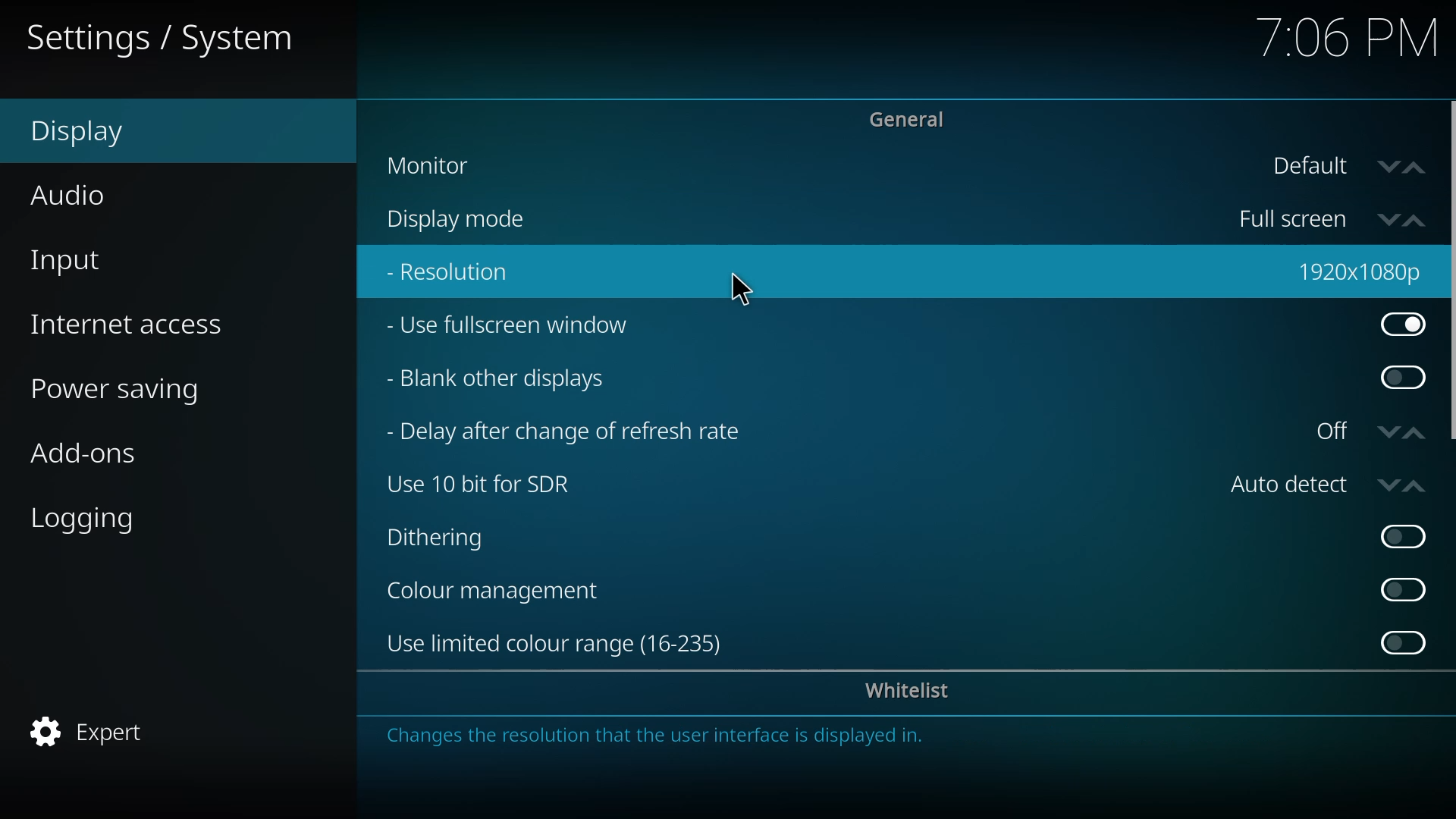  I want to click on info, so click(671, 739).